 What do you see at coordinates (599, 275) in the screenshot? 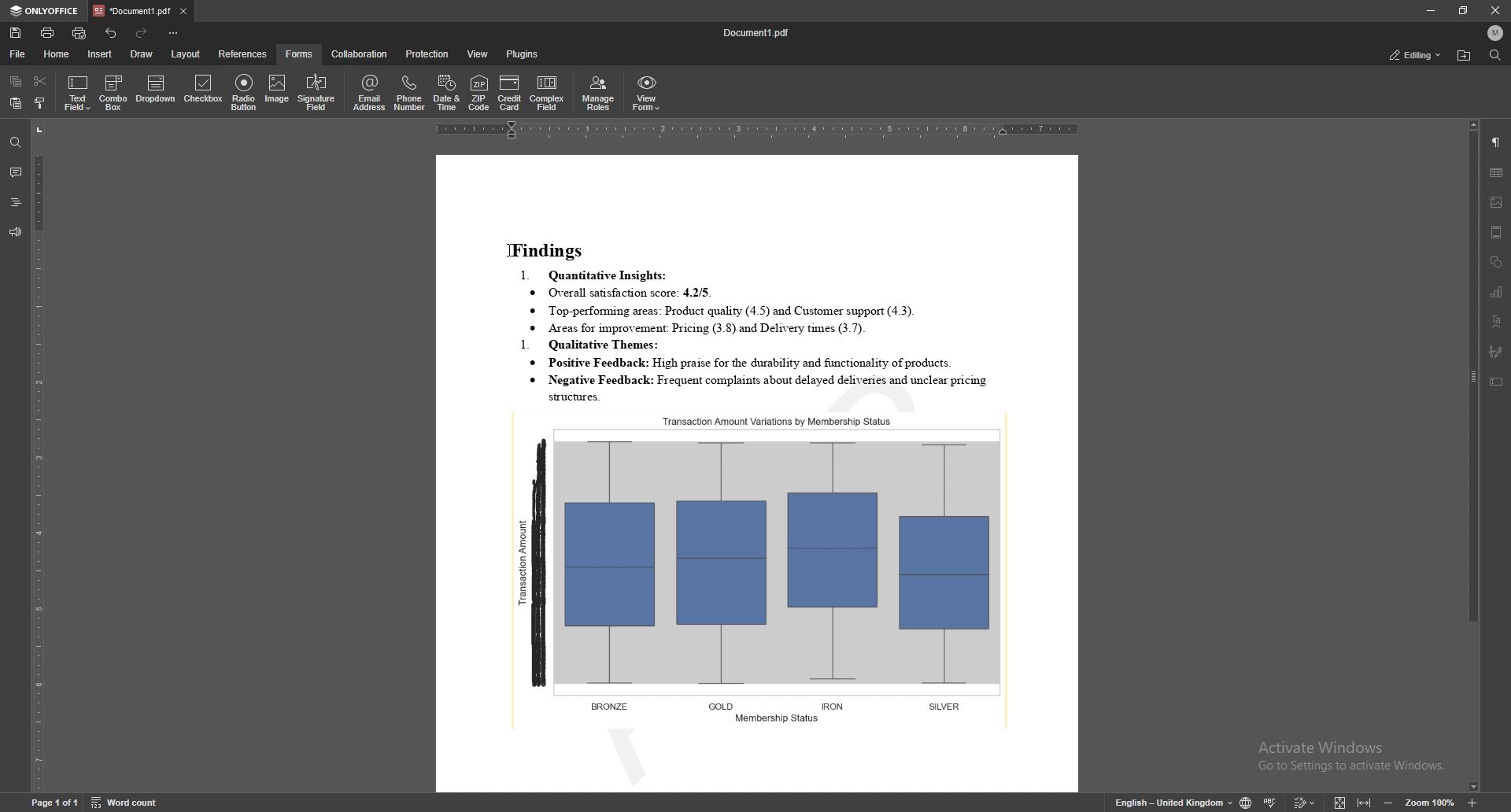
I see `1. Quantitative Insights:` at bounding box center [599, 275].